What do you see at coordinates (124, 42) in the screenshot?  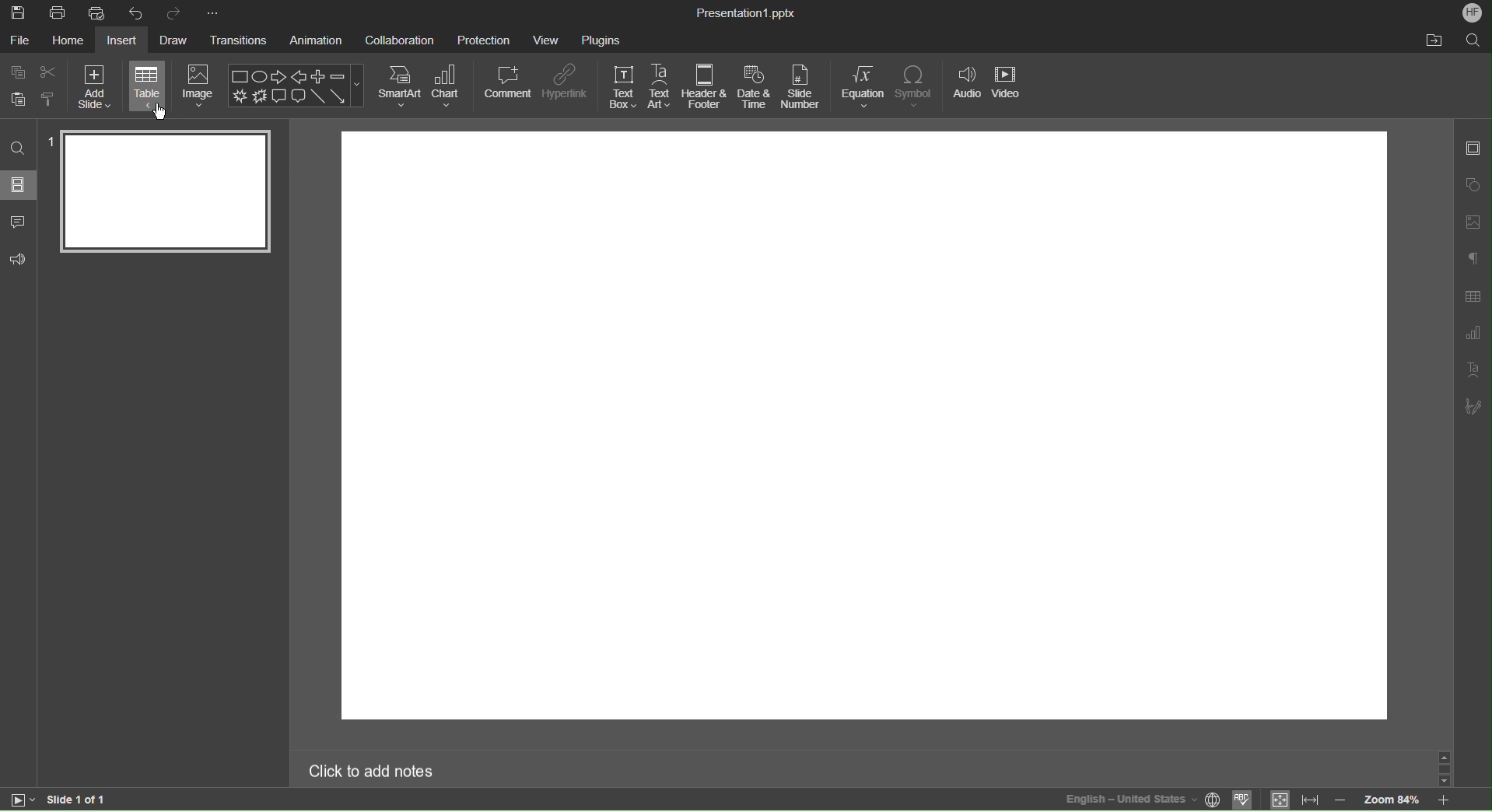 I see `Insert` at bounding box center [124, 42].